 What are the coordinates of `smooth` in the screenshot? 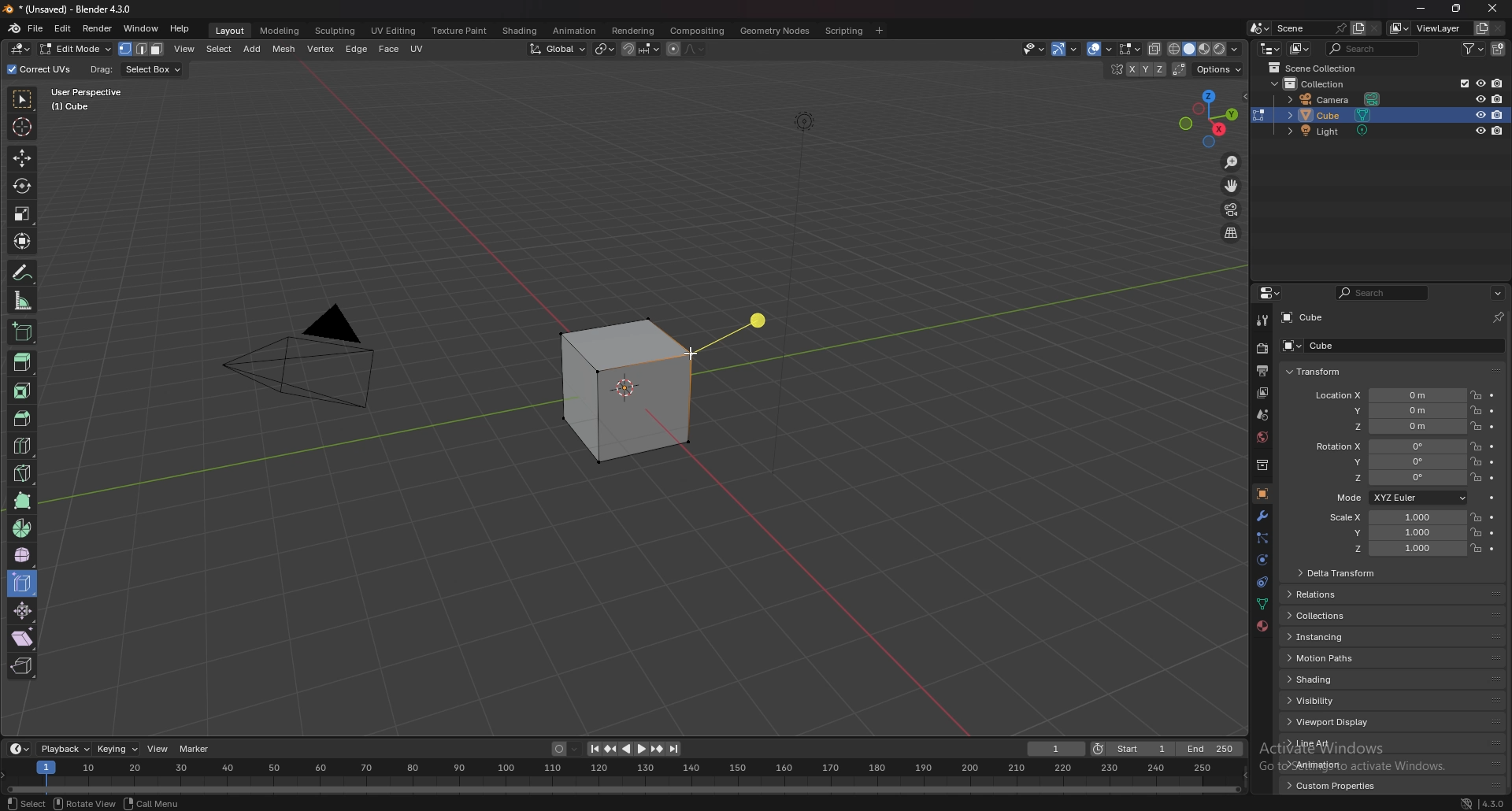 It's located at (24, 554).